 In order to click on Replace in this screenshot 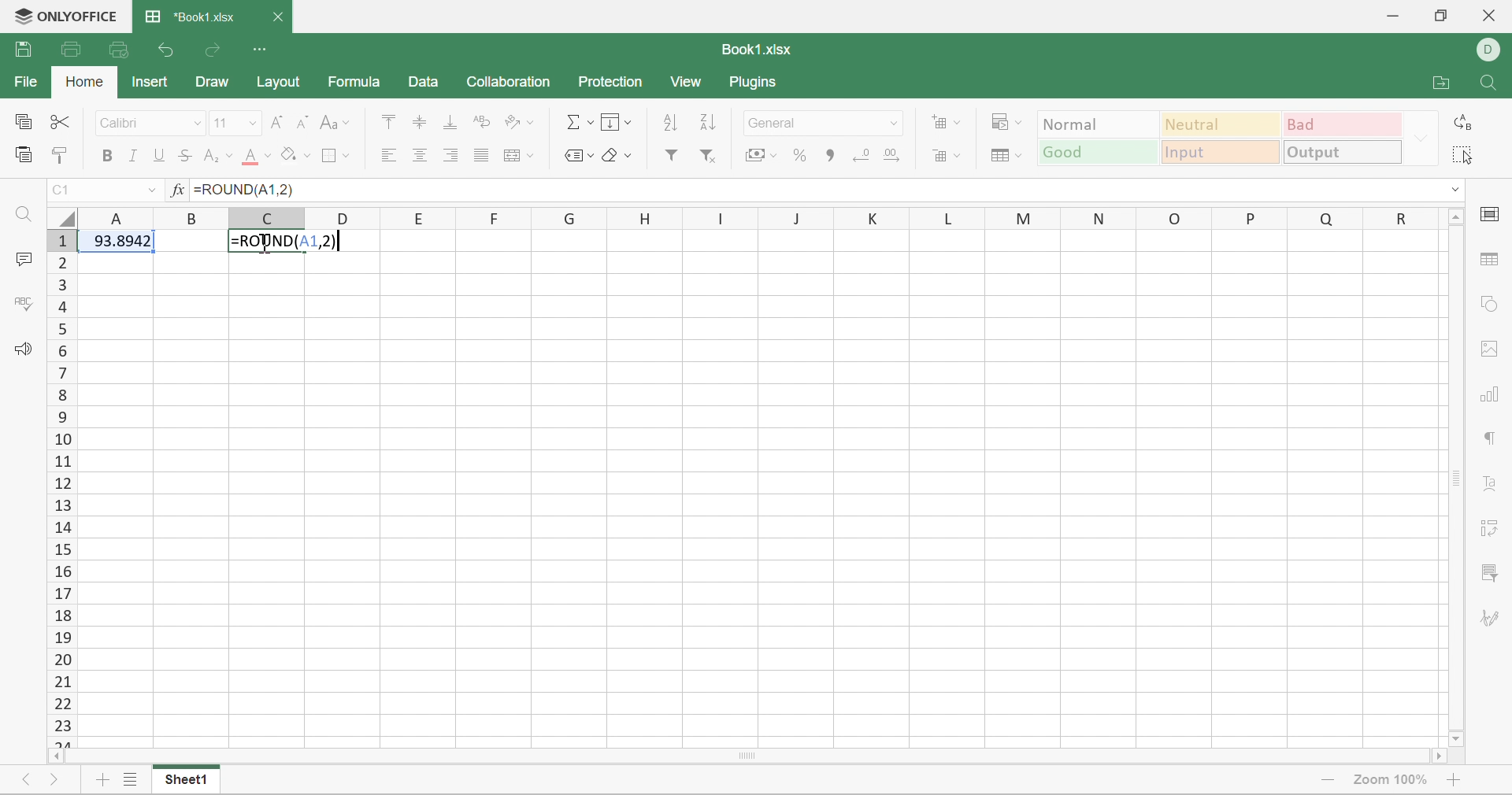, I will do `click(1462, 124)`.